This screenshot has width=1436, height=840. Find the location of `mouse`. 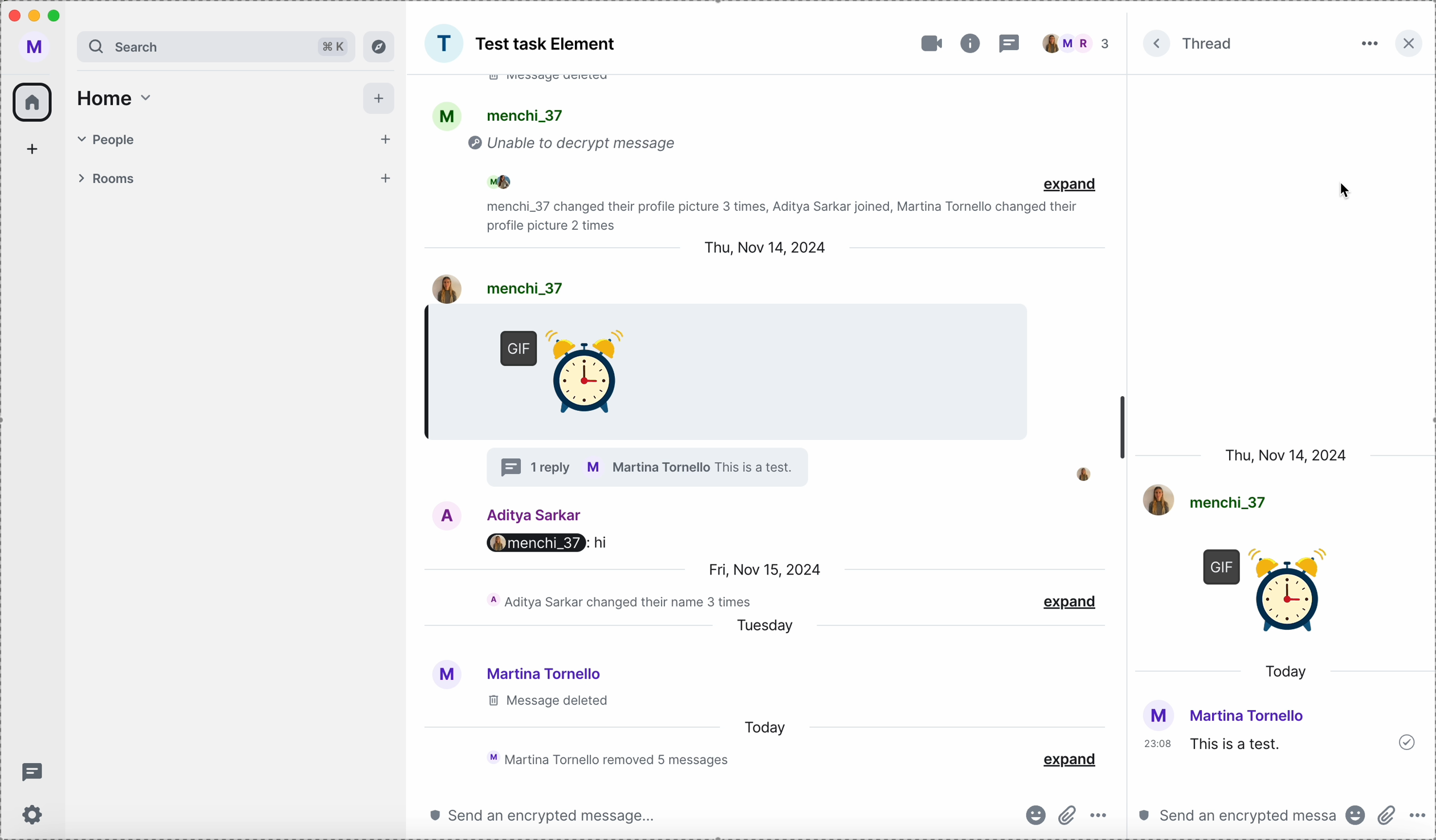

mouse is located at coordinates (1347, 191).